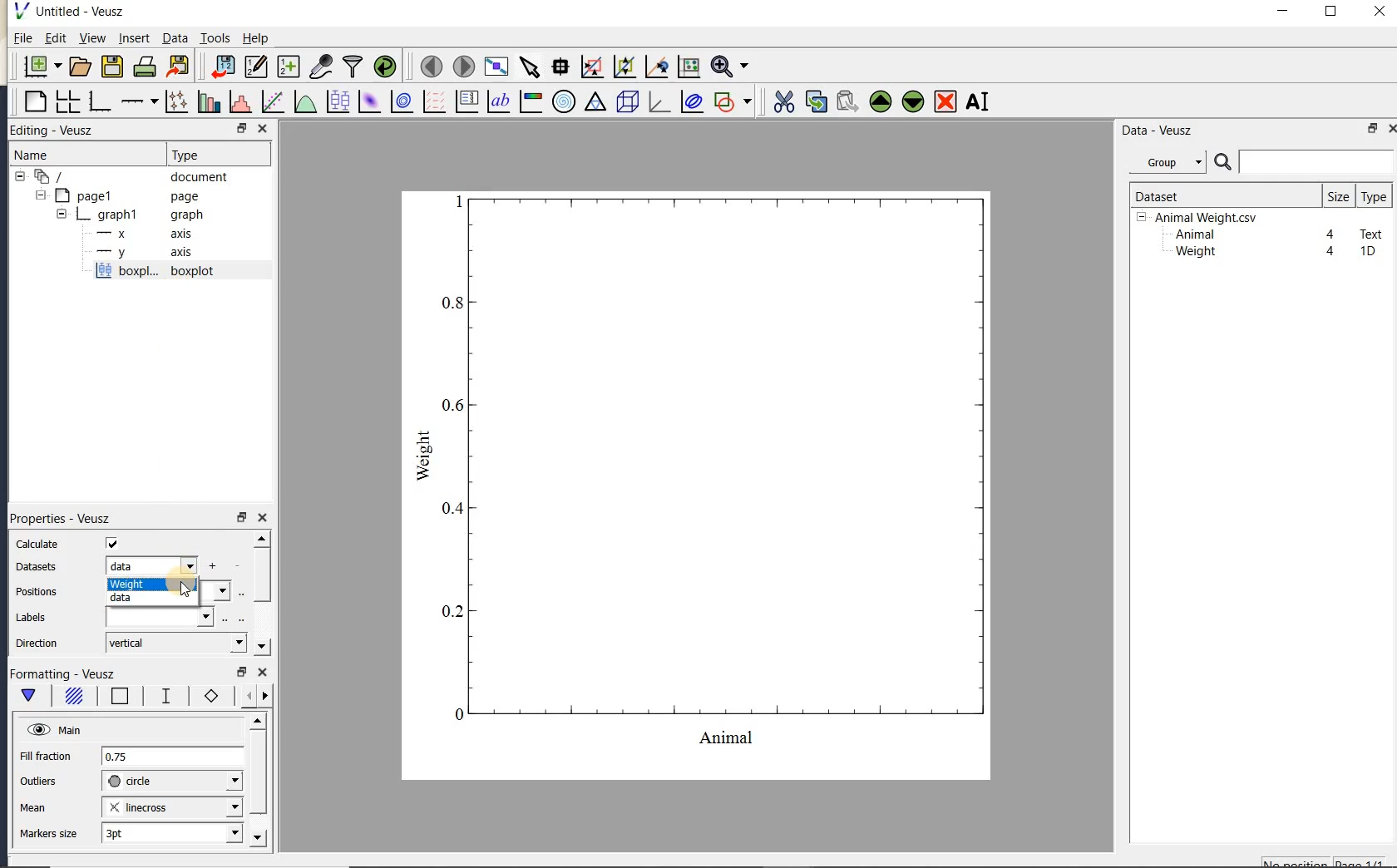 The width and height of the screenshot is (1397, 868). I want to click on Fill fraction, so click(46, 757).